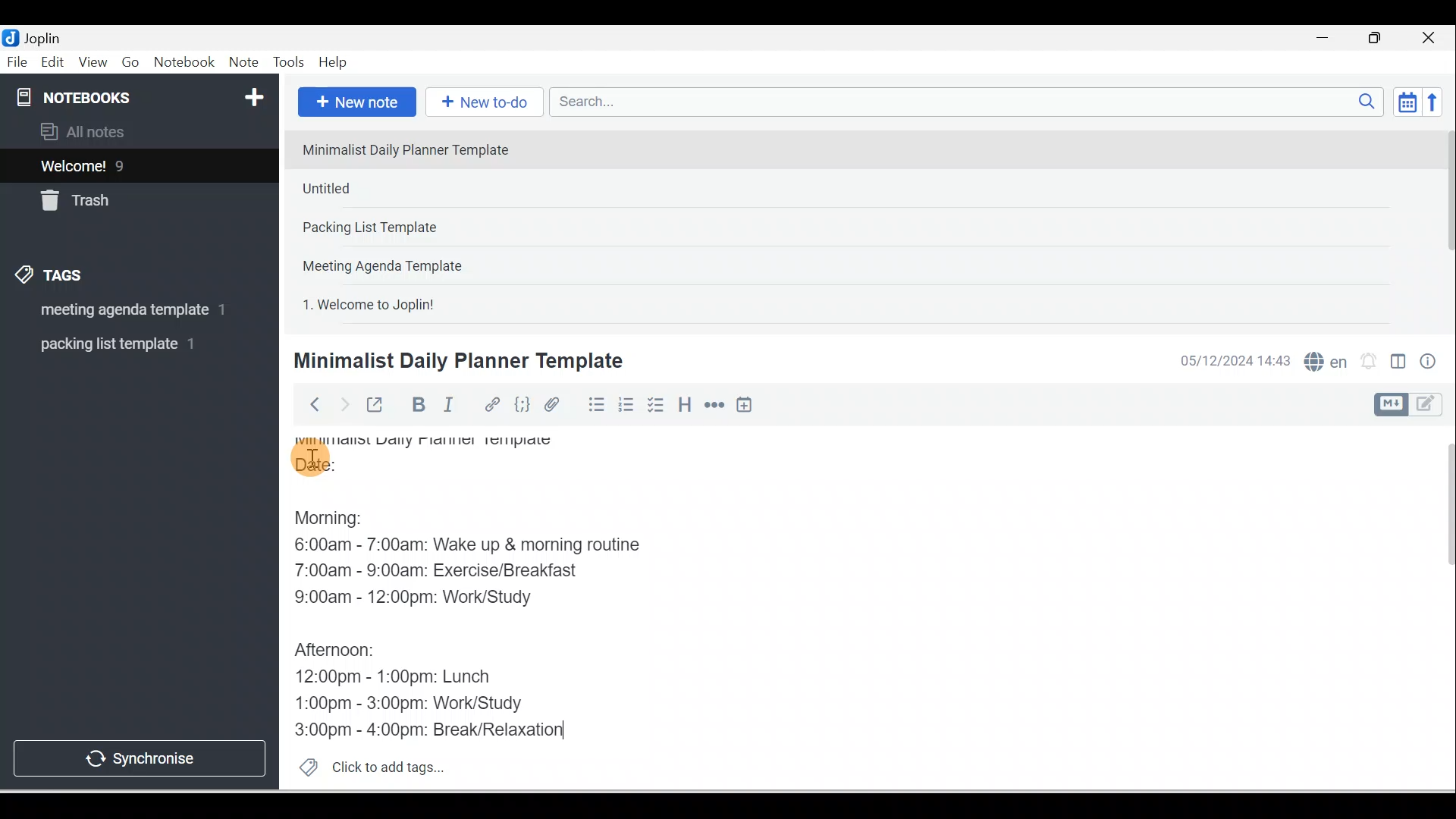  I want to click on Note 5, so click(424, 303).